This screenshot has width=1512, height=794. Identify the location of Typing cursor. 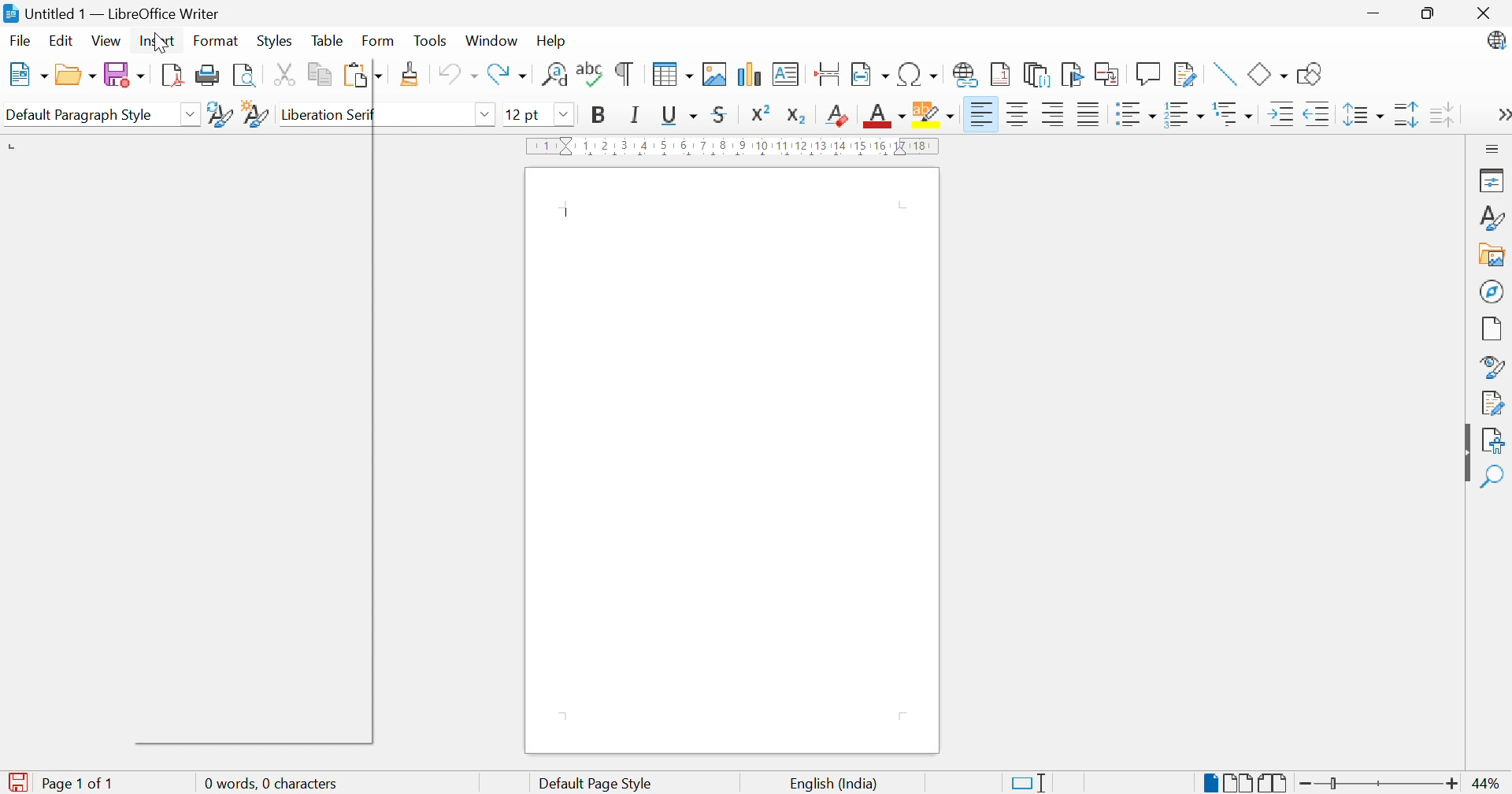
(569, 213).